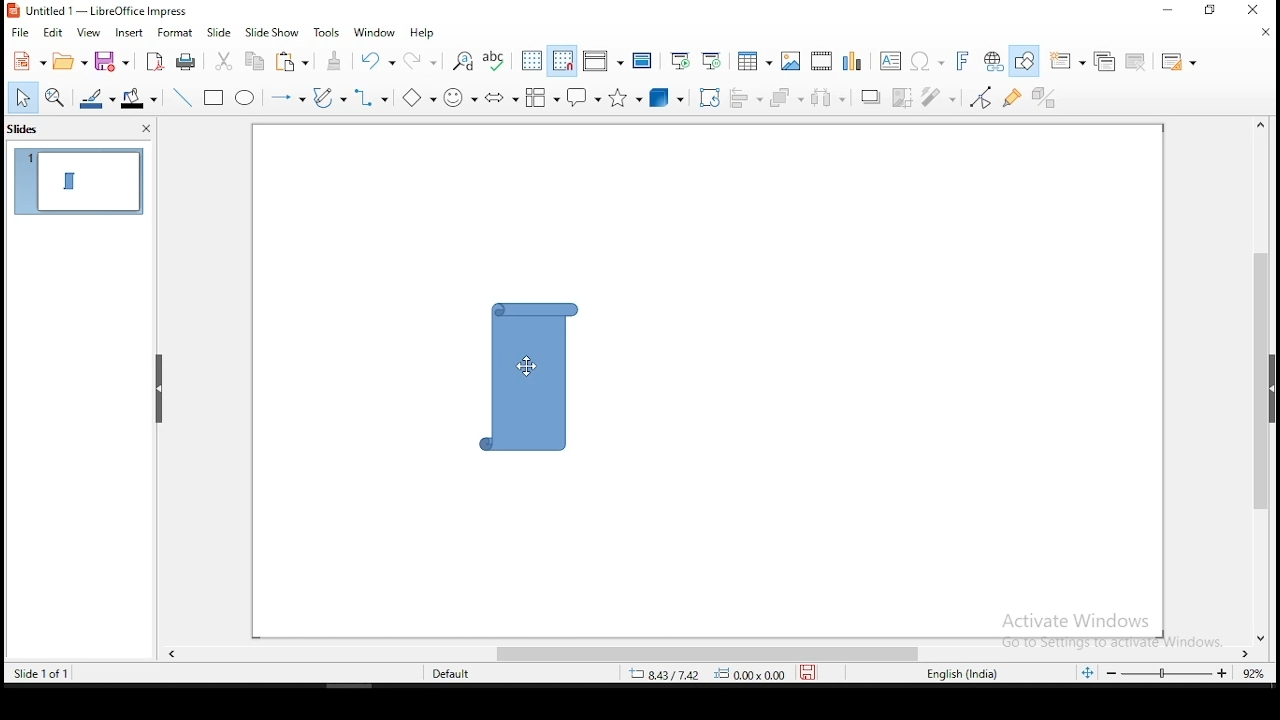  What do you see at coordinates (527, 373) in the screenshot?
I see `shape` at bounding box center [527, 373].